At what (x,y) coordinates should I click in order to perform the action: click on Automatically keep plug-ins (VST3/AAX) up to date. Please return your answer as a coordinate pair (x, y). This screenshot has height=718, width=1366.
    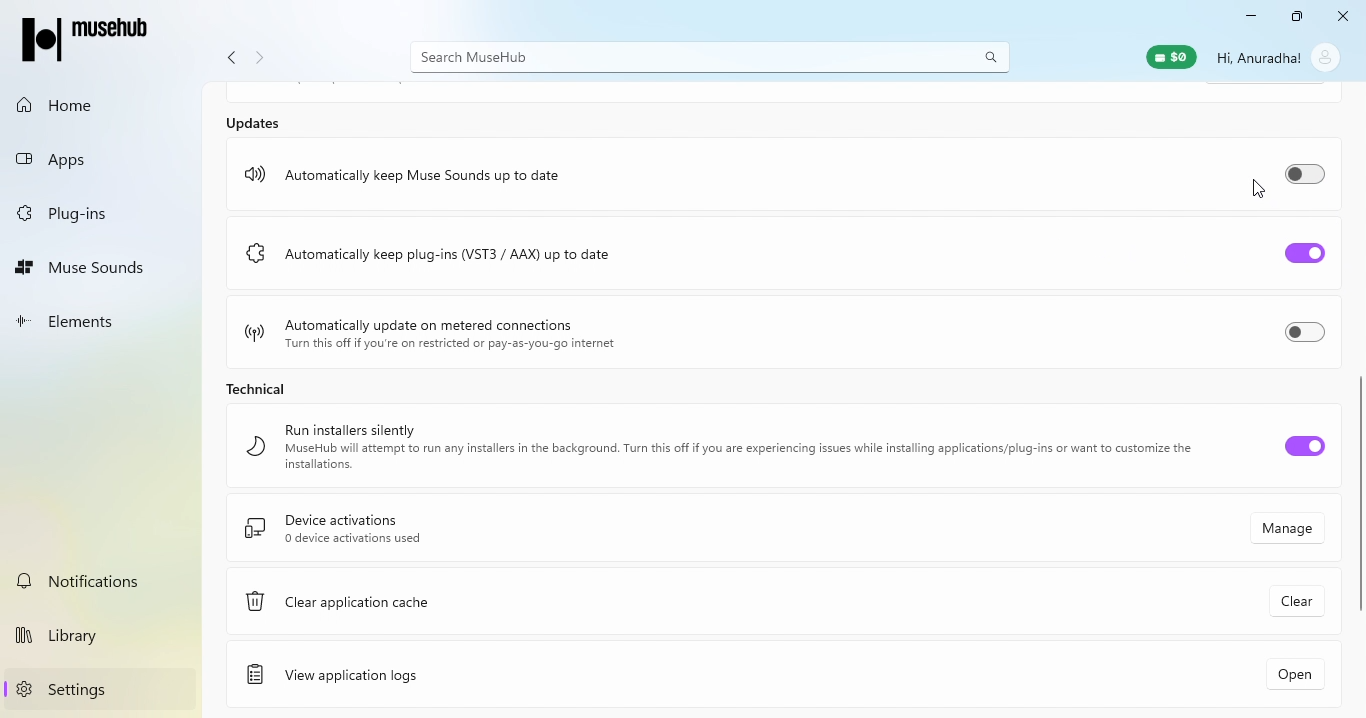
    Looking at the image, I should click on (427, 250).